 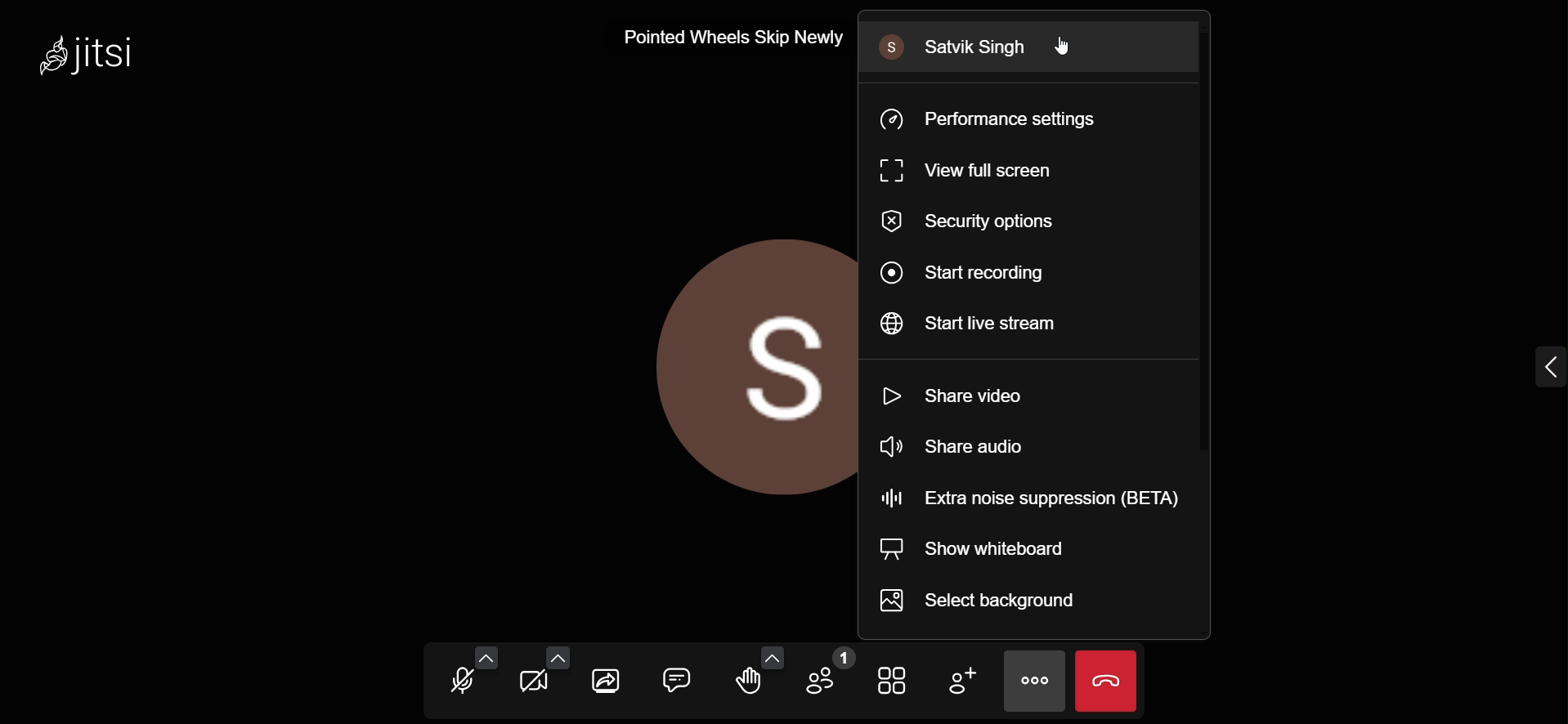 I want to click on cursor, so click(x=1060, y=46).